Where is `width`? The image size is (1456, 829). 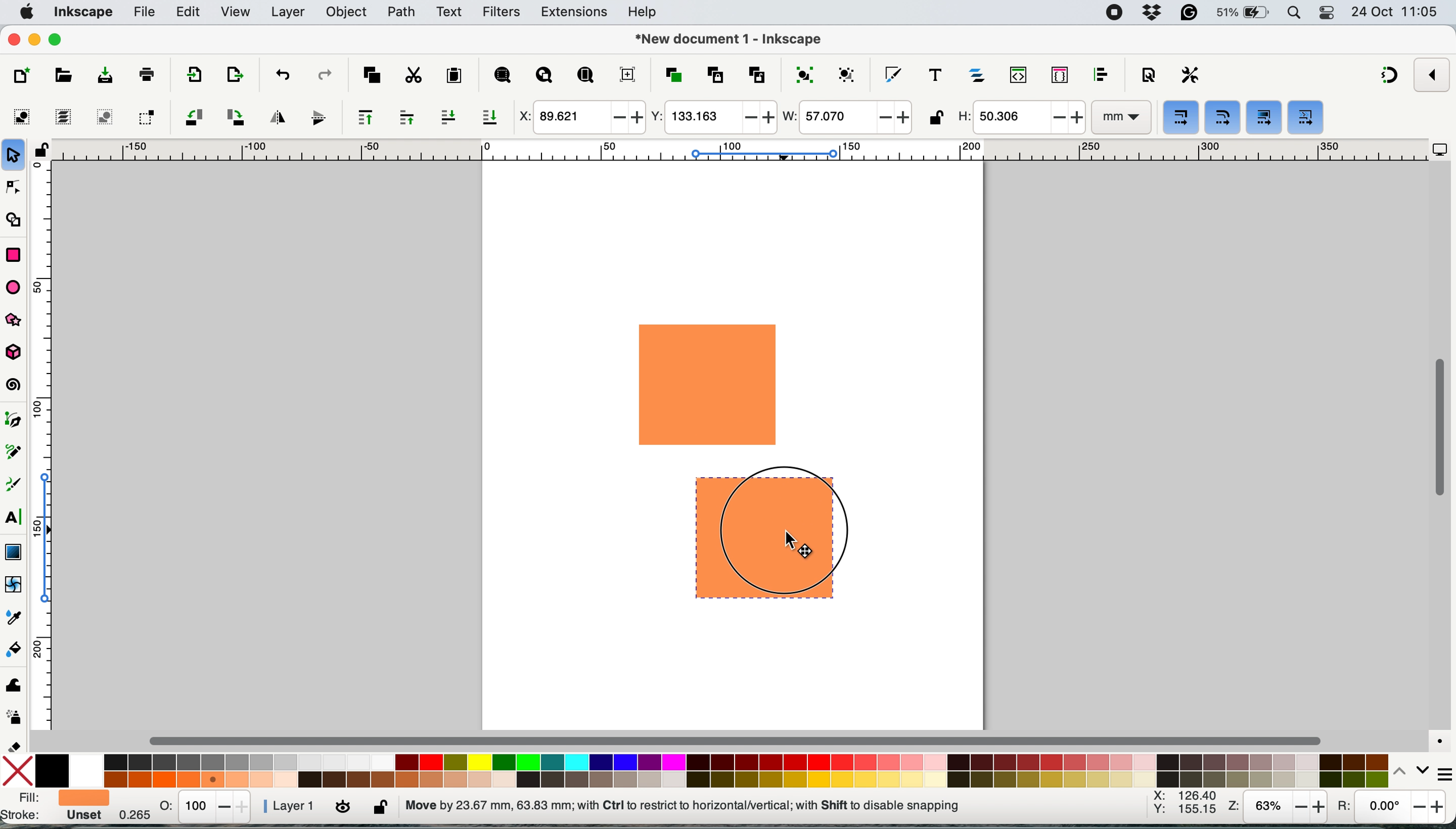 width is located at coordinates (846, 118).